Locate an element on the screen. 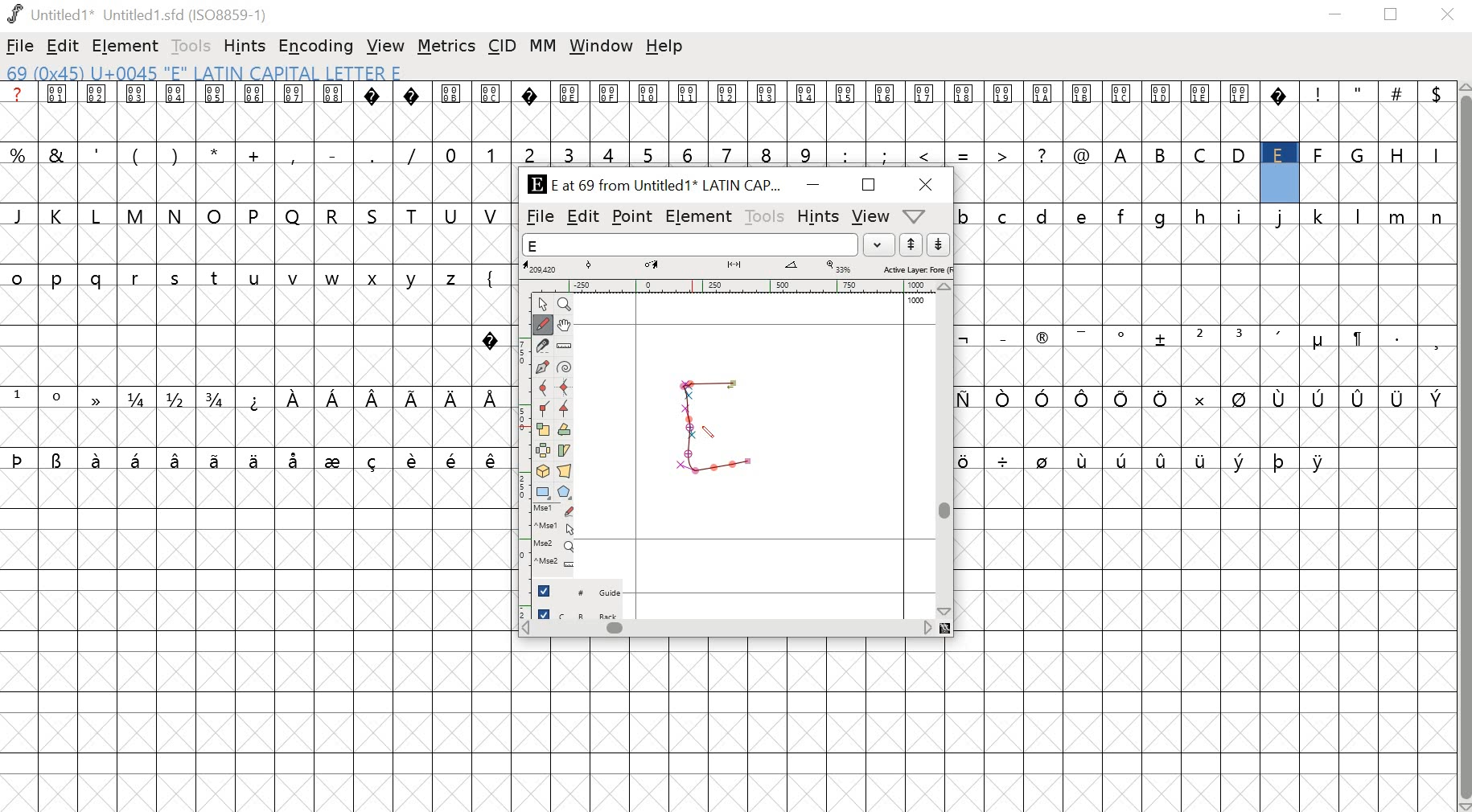 This screenshot has width=1472, height=812. Mouse left button is located at coordinates (553, 511).